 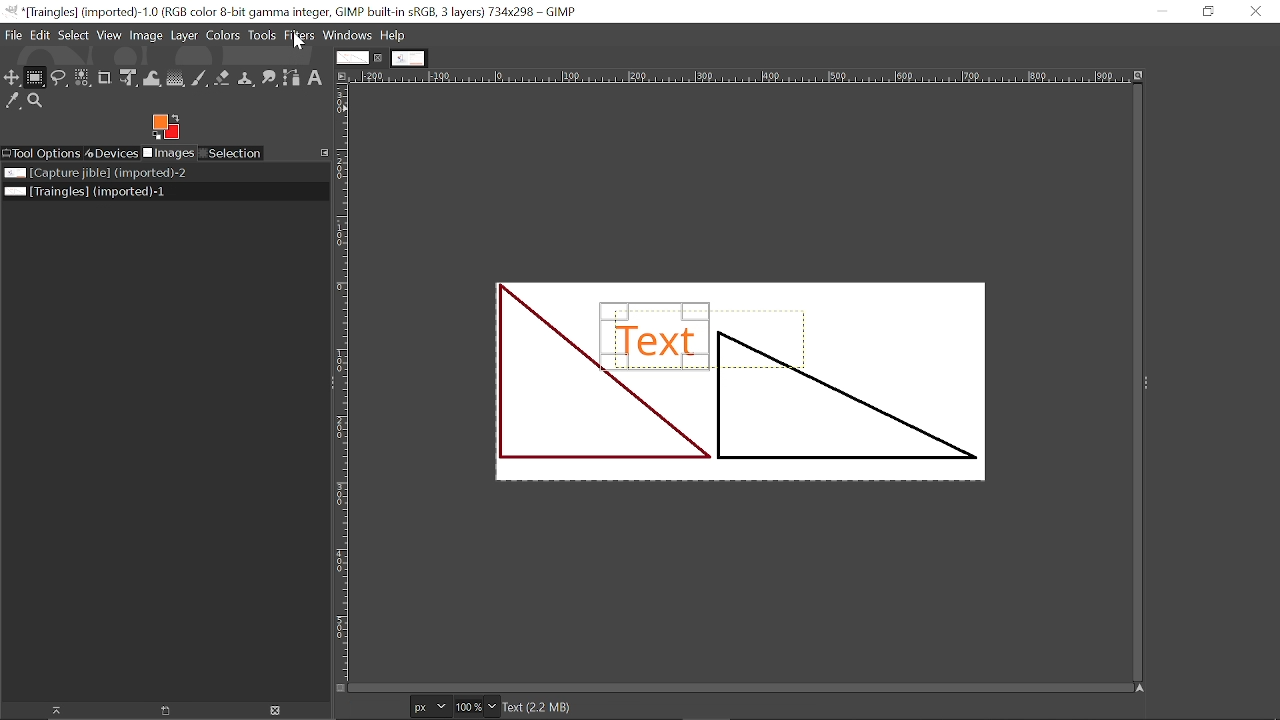 What do you see at coordinates (740, 77) in the screenshot?
I see `Horizonta label` at bounding box center [740, 77].